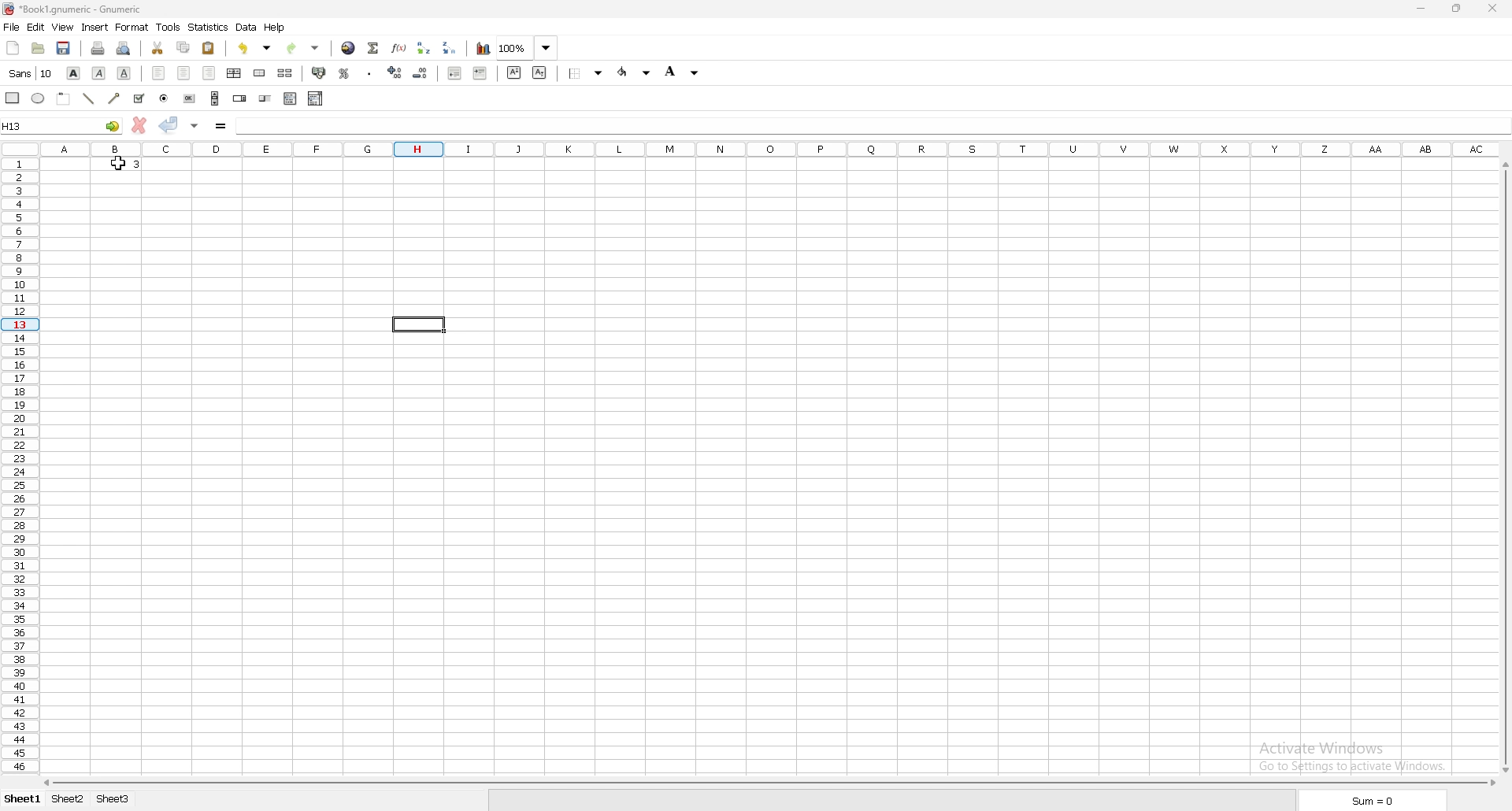 This screenshot has height=811, width=1512. What do you see at coordinates (1490, 9) in the screenshot?
I see `close` at bounding box center [1490, 9].